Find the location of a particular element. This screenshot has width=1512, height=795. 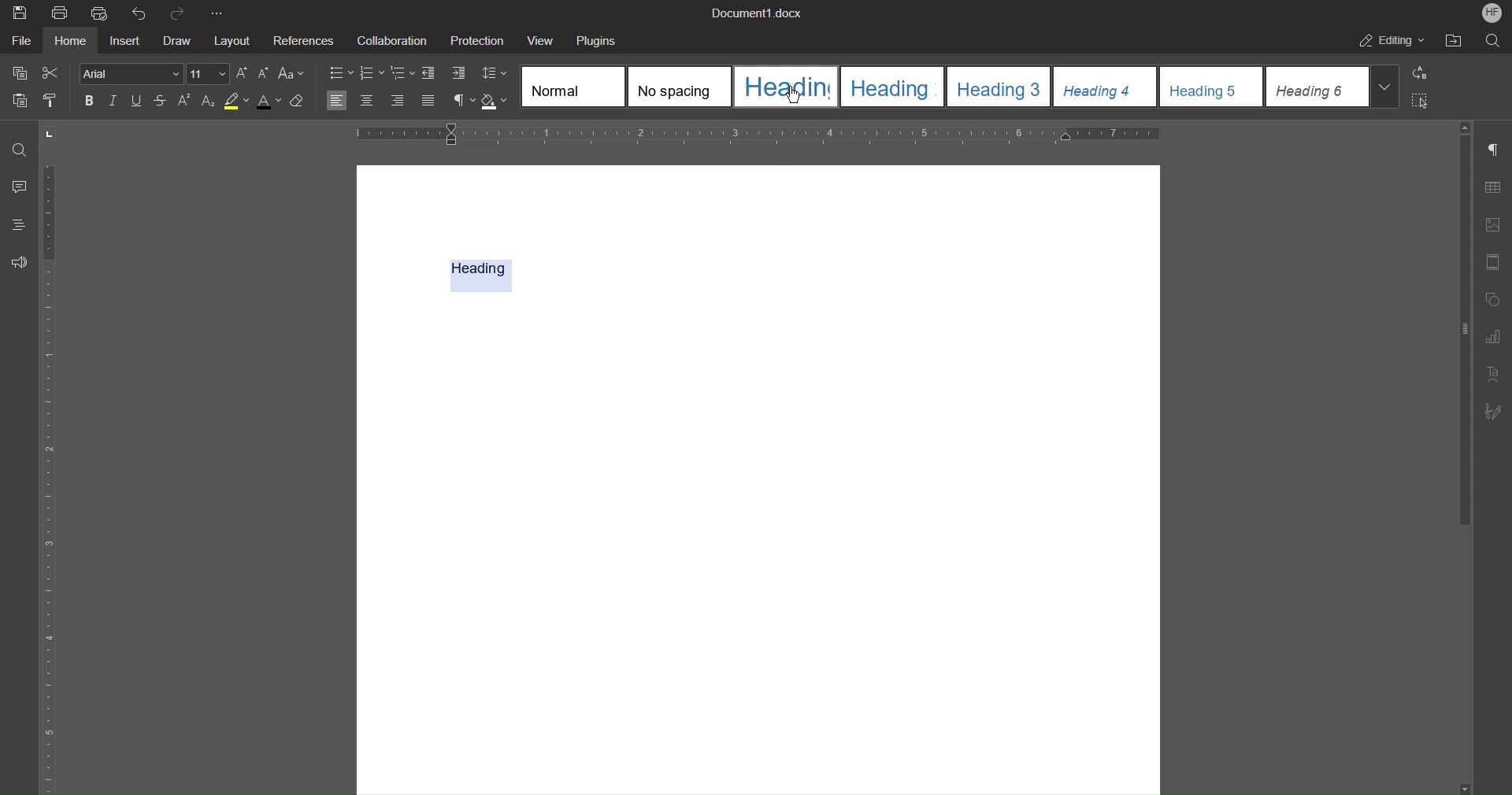

Cut is located at coordinates (55, 70).